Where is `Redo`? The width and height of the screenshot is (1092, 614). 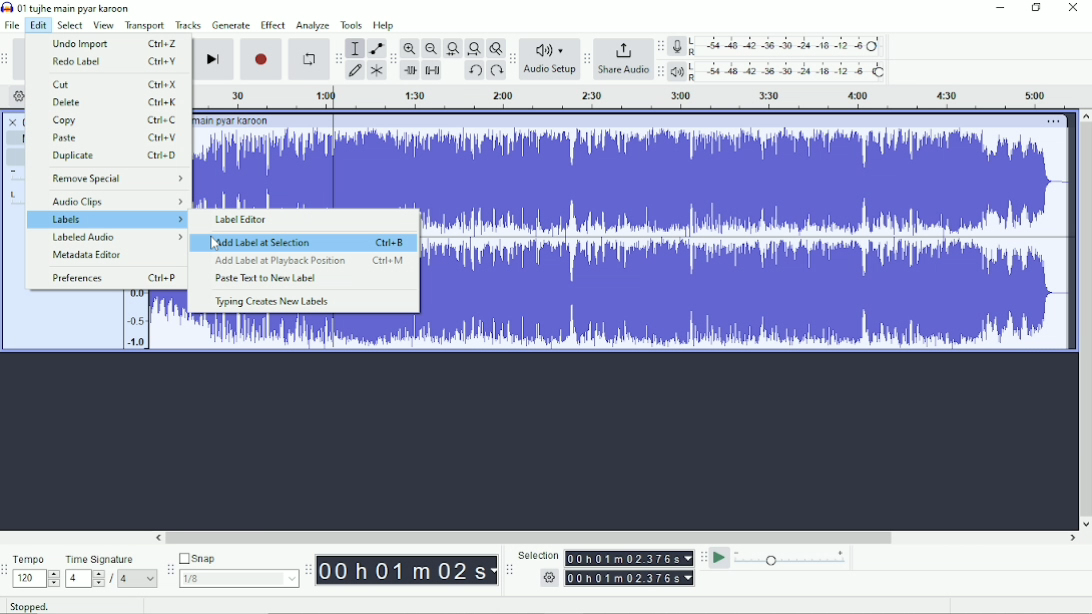 Redo is located at coordinates (496, 71).